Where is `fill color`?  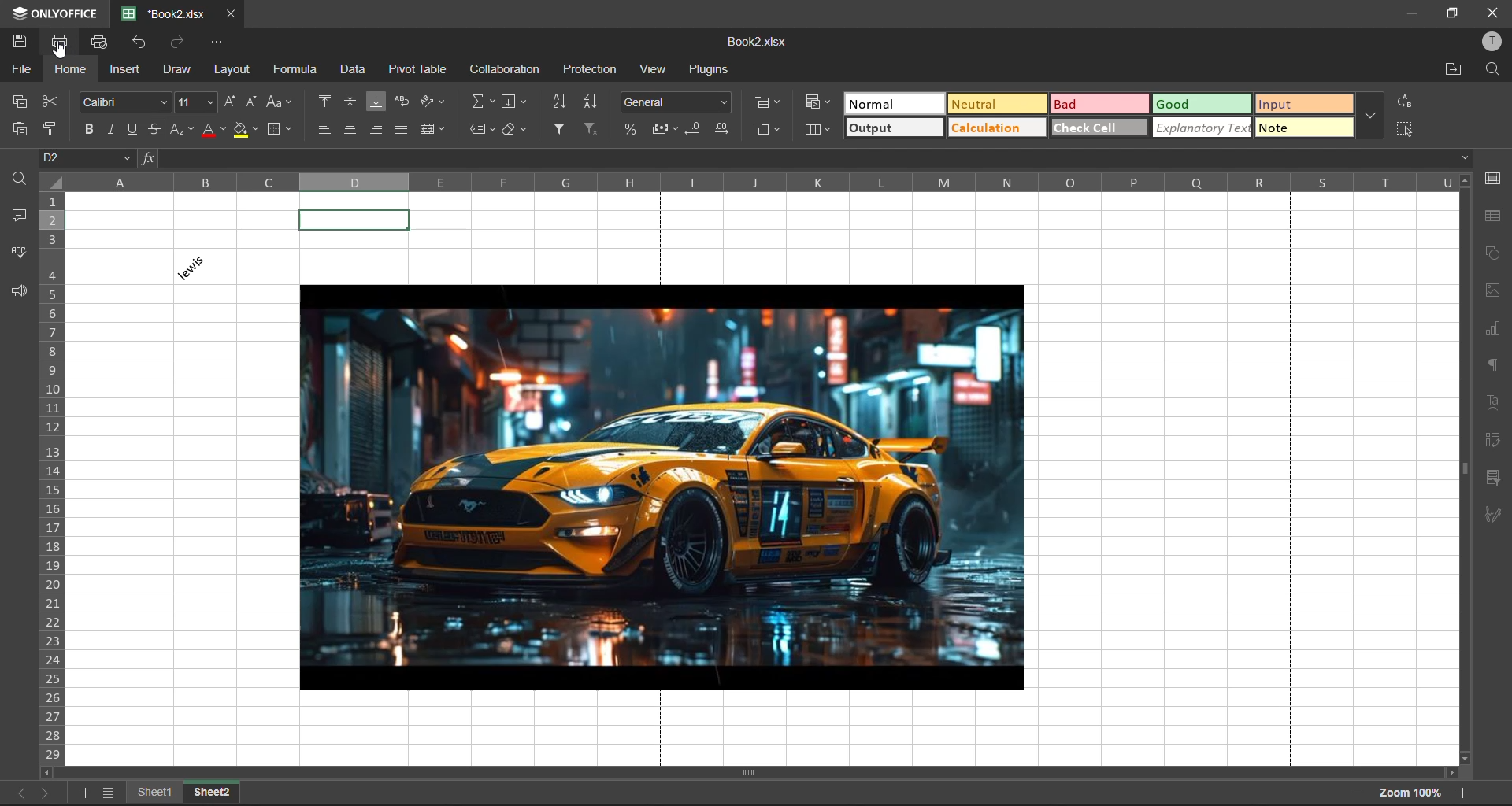
fill color is located at coordinates (246, 130).